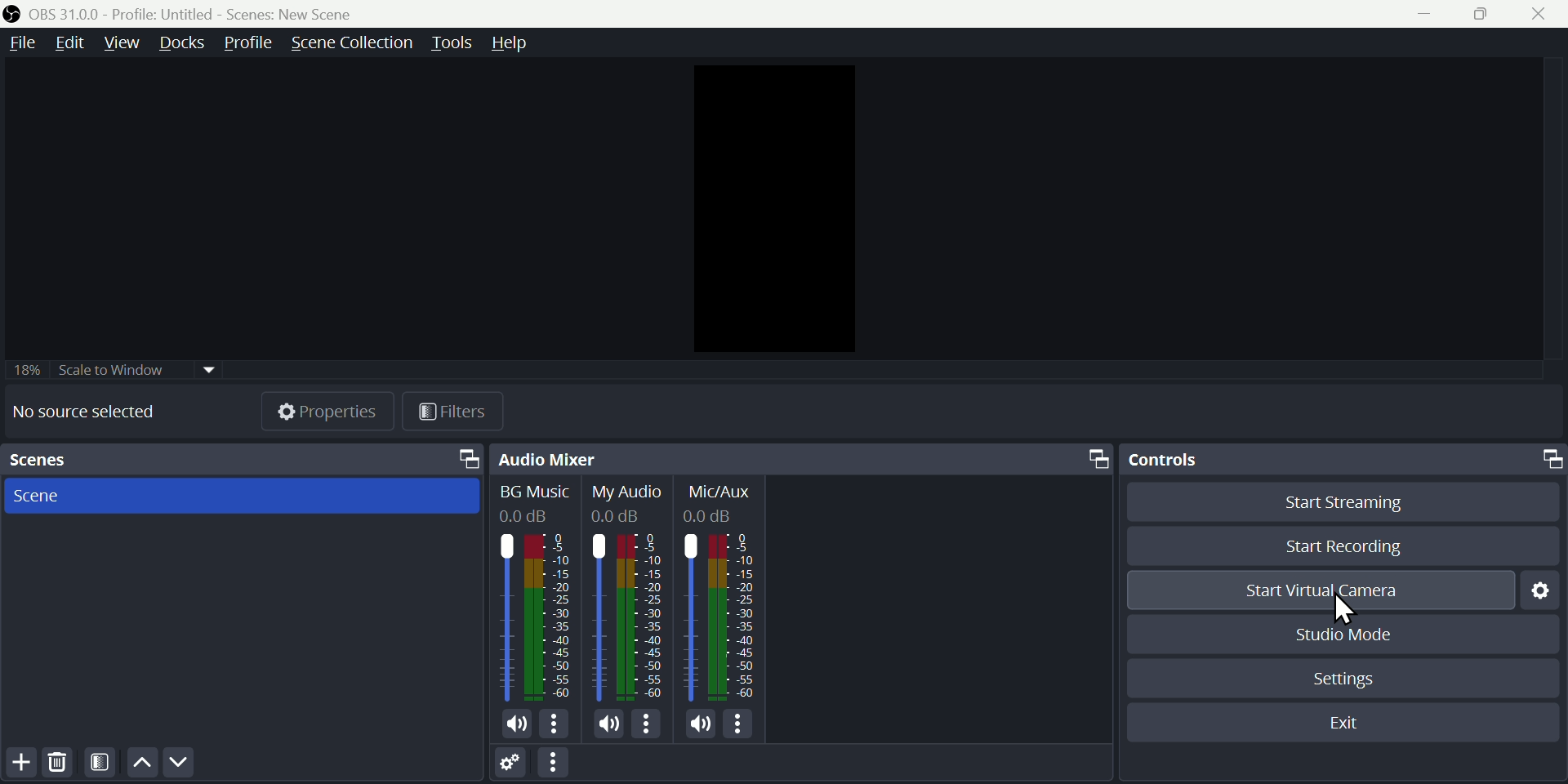  What do you see at coordinates (74, 40) in the screenshot?
I see `Edit` at bounding box center [74, 40].